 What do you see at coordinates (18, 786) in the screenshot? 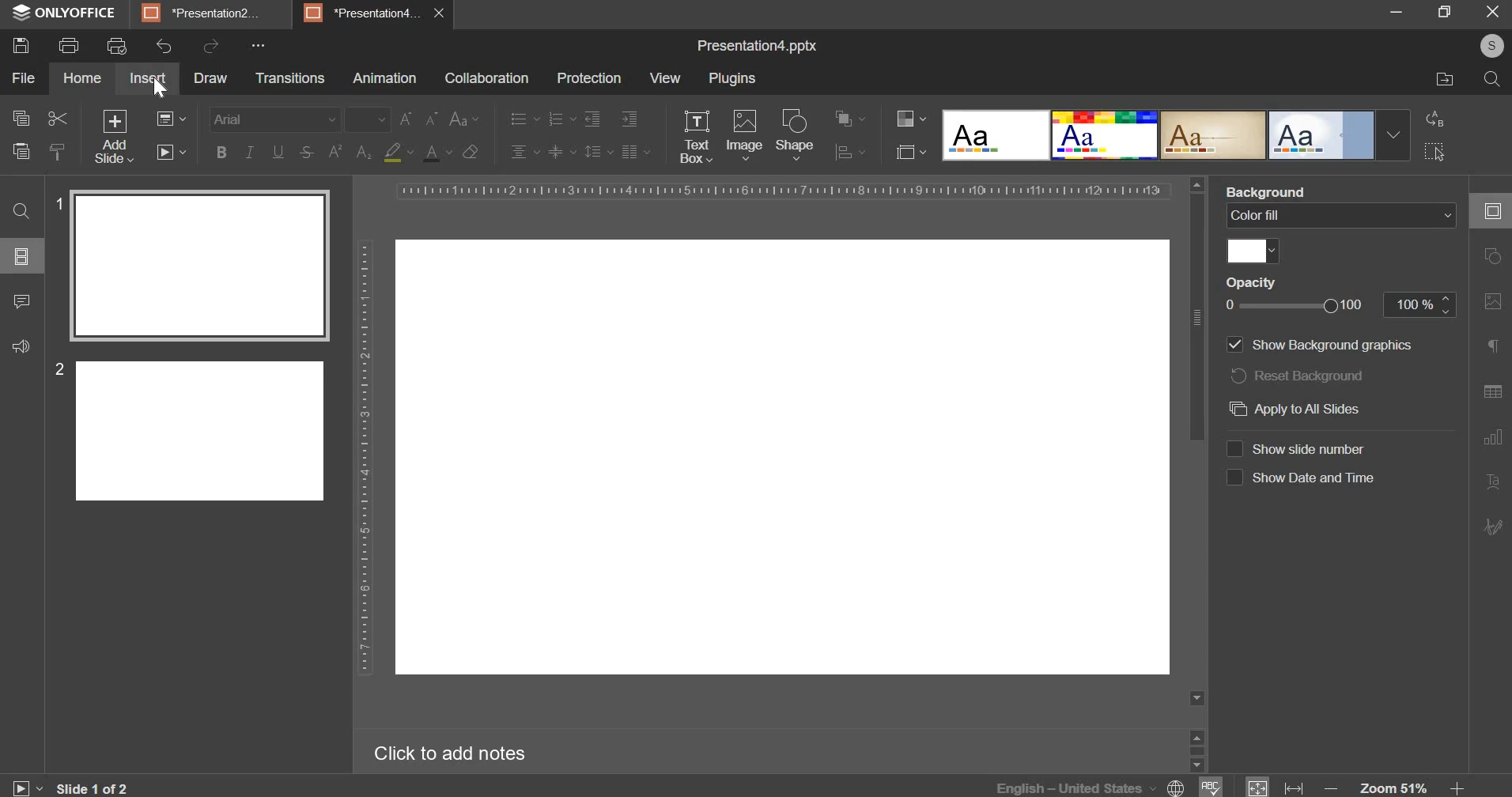
I see `play` at bounding box center [18, 786].